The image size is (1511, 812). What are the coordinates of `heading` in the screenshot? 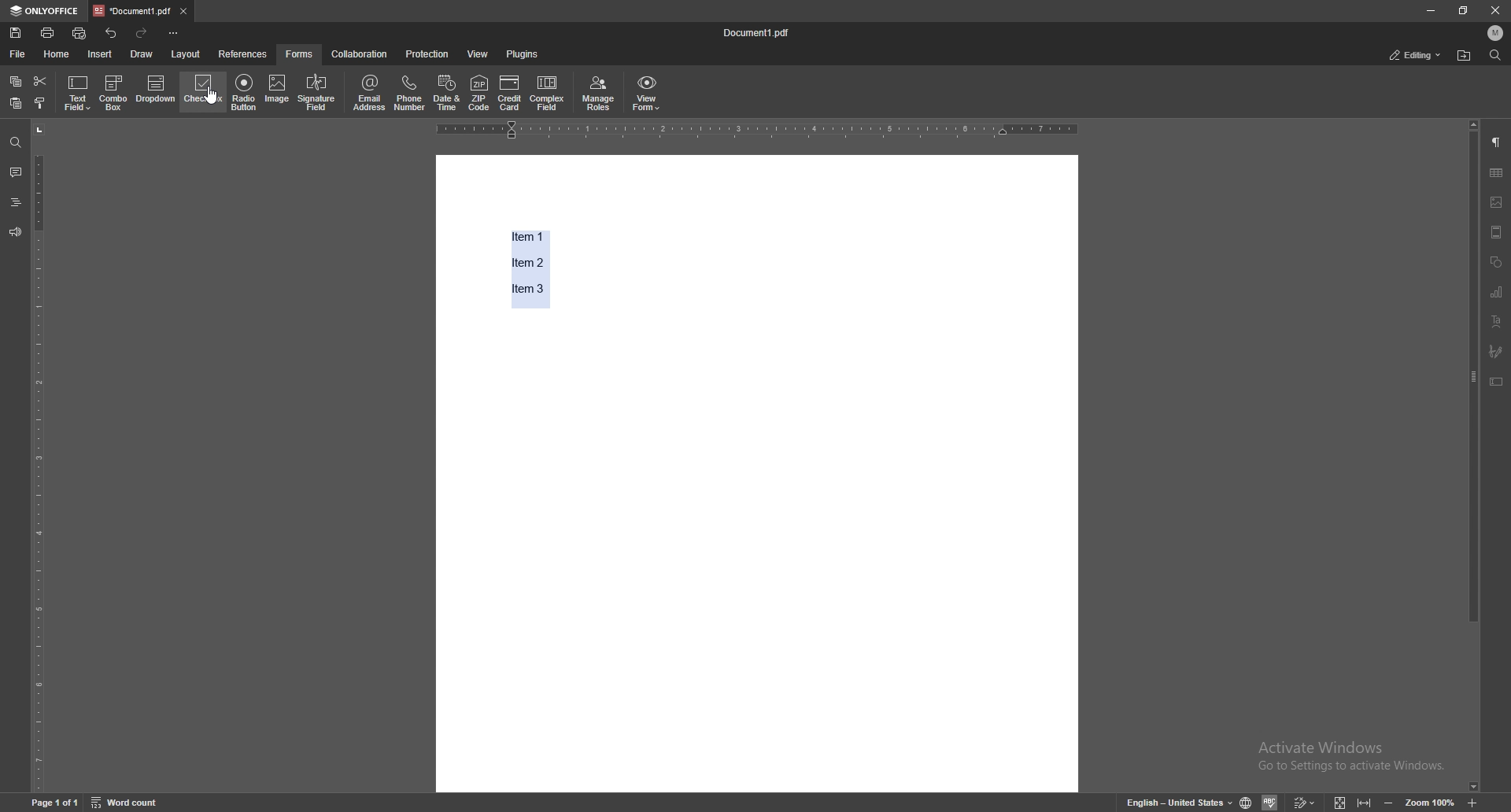 It's located at (15, 202).